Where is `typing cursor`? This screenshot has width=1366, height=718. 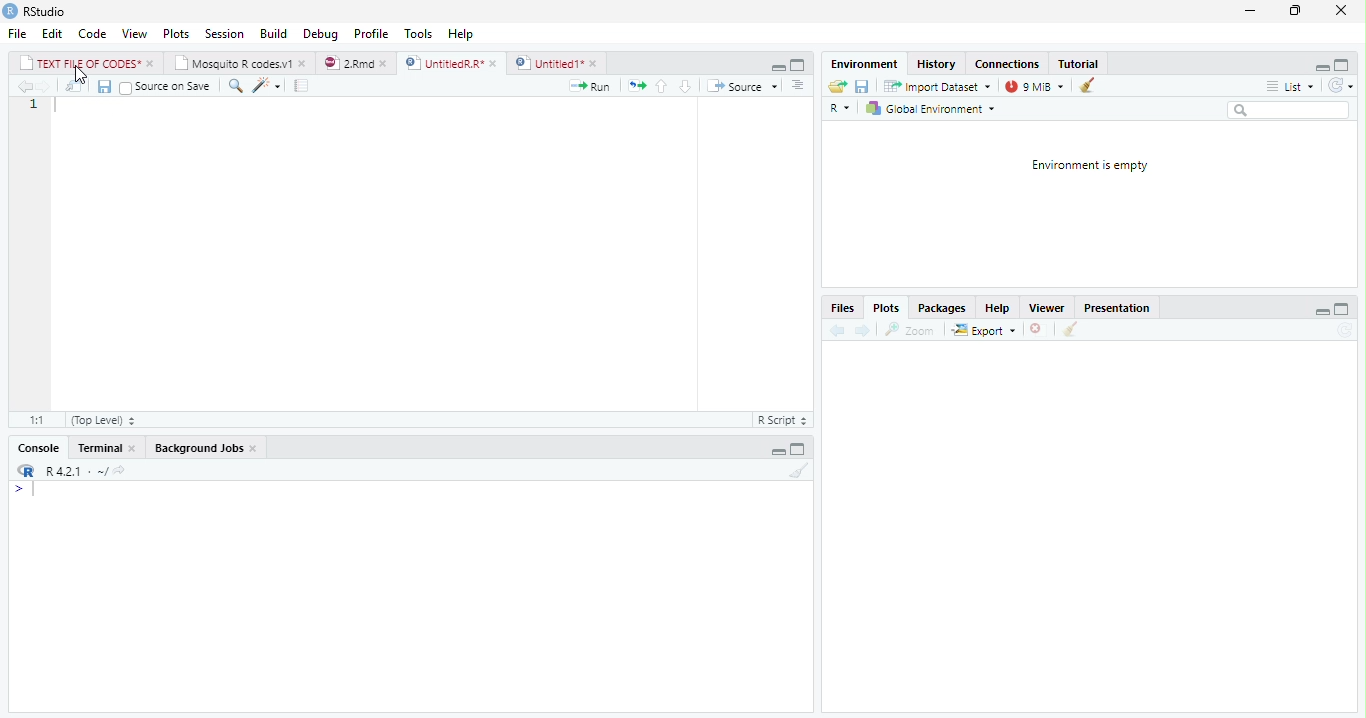 typing cursor is located at coordinates (26, 492).